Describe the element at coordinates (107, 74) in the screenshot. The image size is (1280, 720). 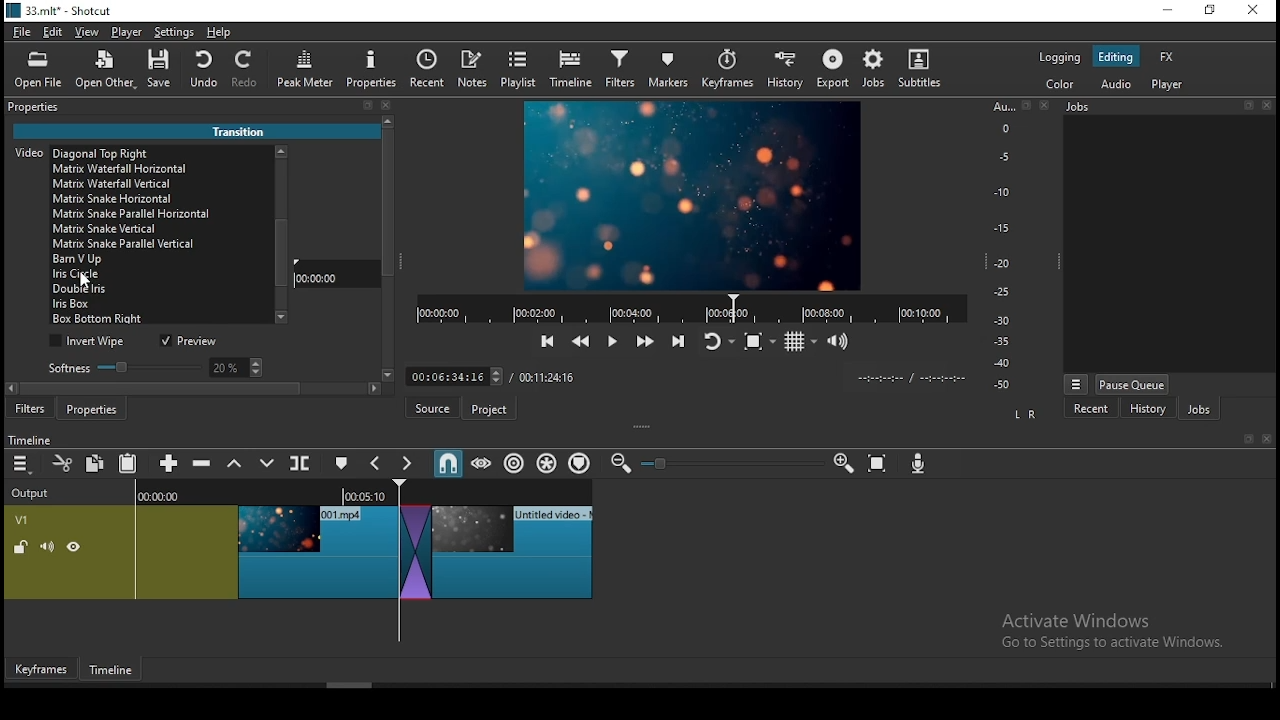
I see `open other` at that location.